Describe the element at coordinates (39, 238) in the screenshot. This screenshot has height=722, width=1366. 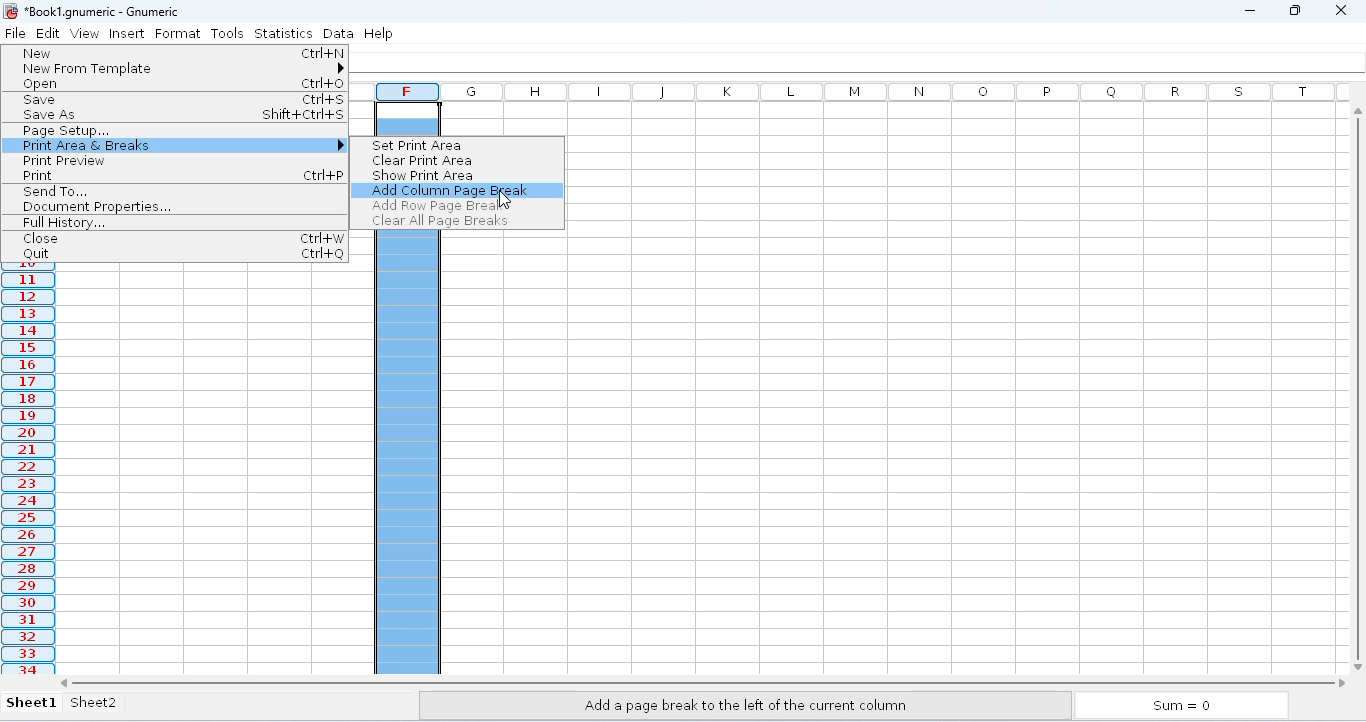
I see `close` at that location.